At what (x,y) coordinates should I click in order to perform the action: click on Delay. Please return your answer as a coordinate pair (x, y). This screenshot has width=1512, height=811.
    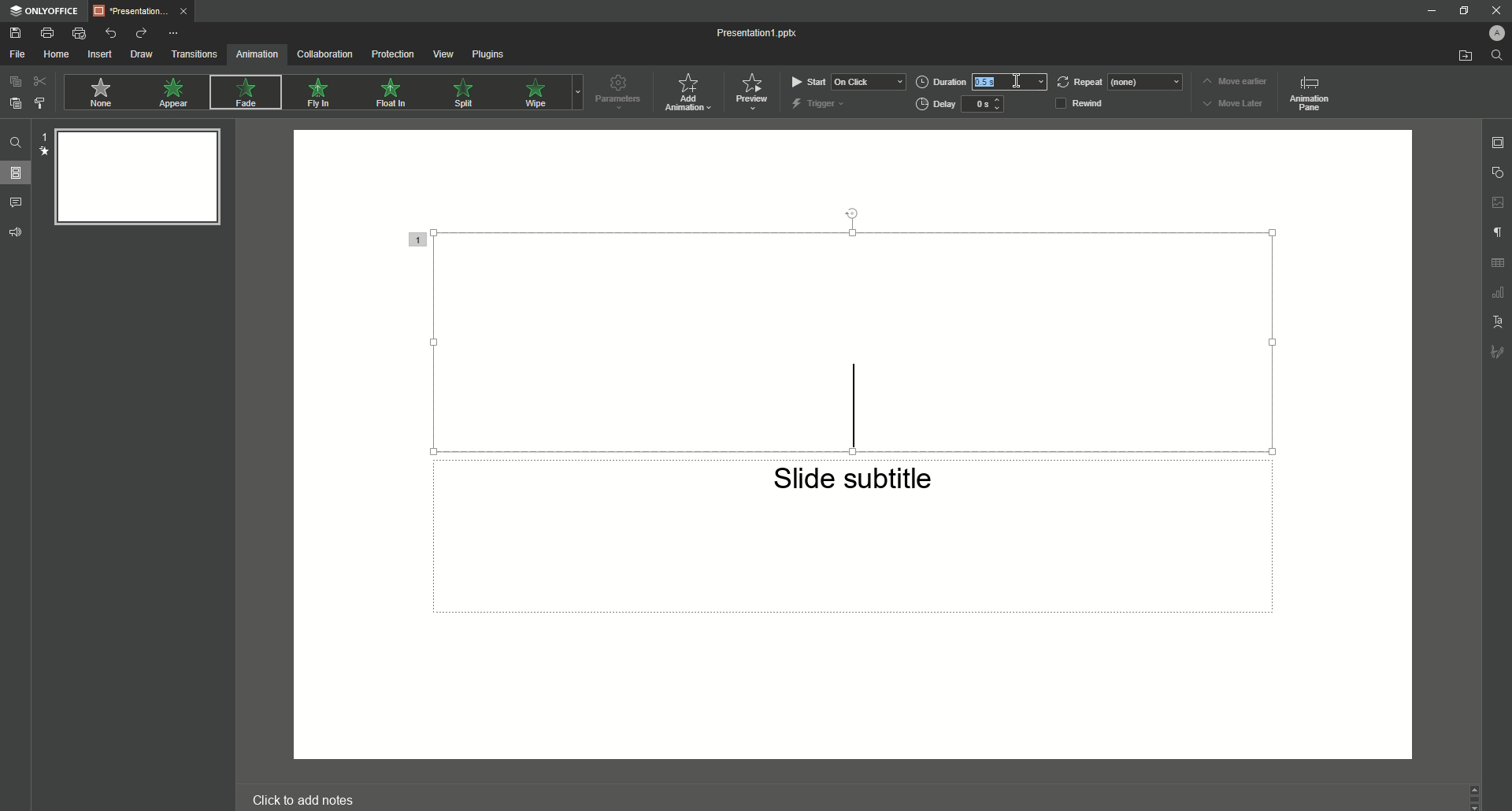
    Looking at the image, I should click on (962, 105).